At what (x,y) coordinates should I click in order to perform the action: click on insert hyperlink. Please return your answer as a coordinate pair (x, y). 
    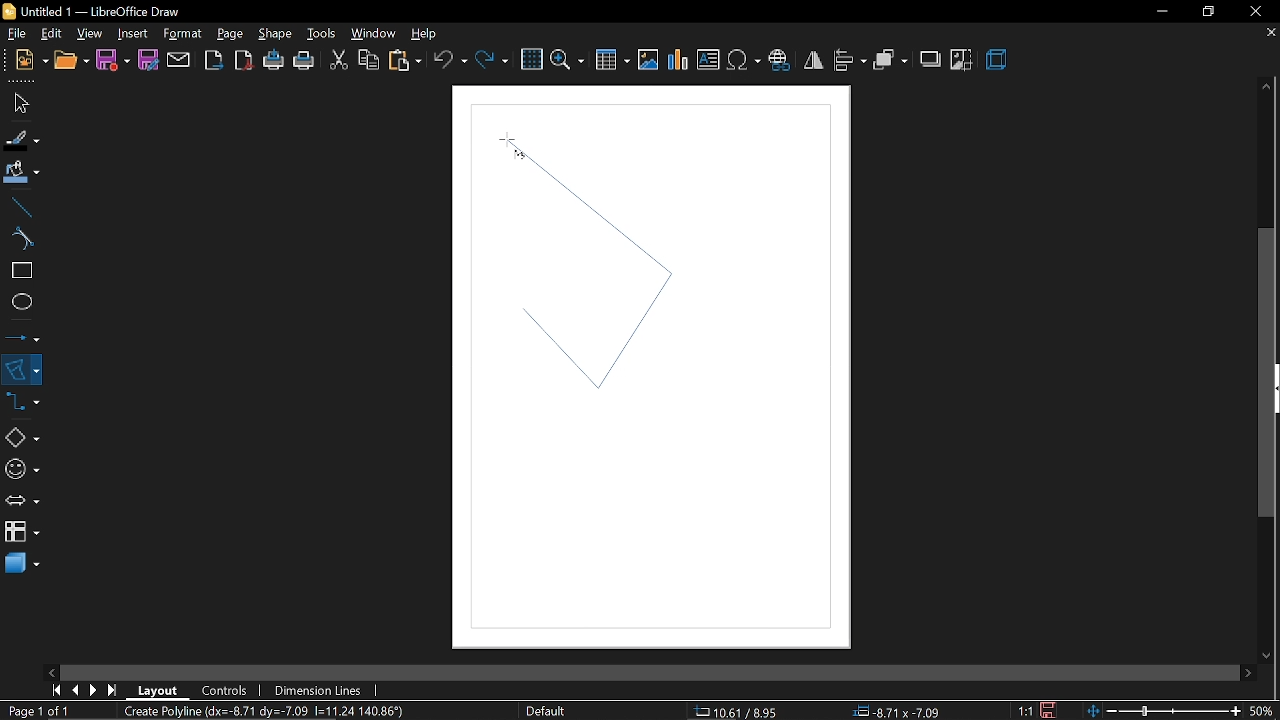
    Looking at the image, I should click on (782, 58).